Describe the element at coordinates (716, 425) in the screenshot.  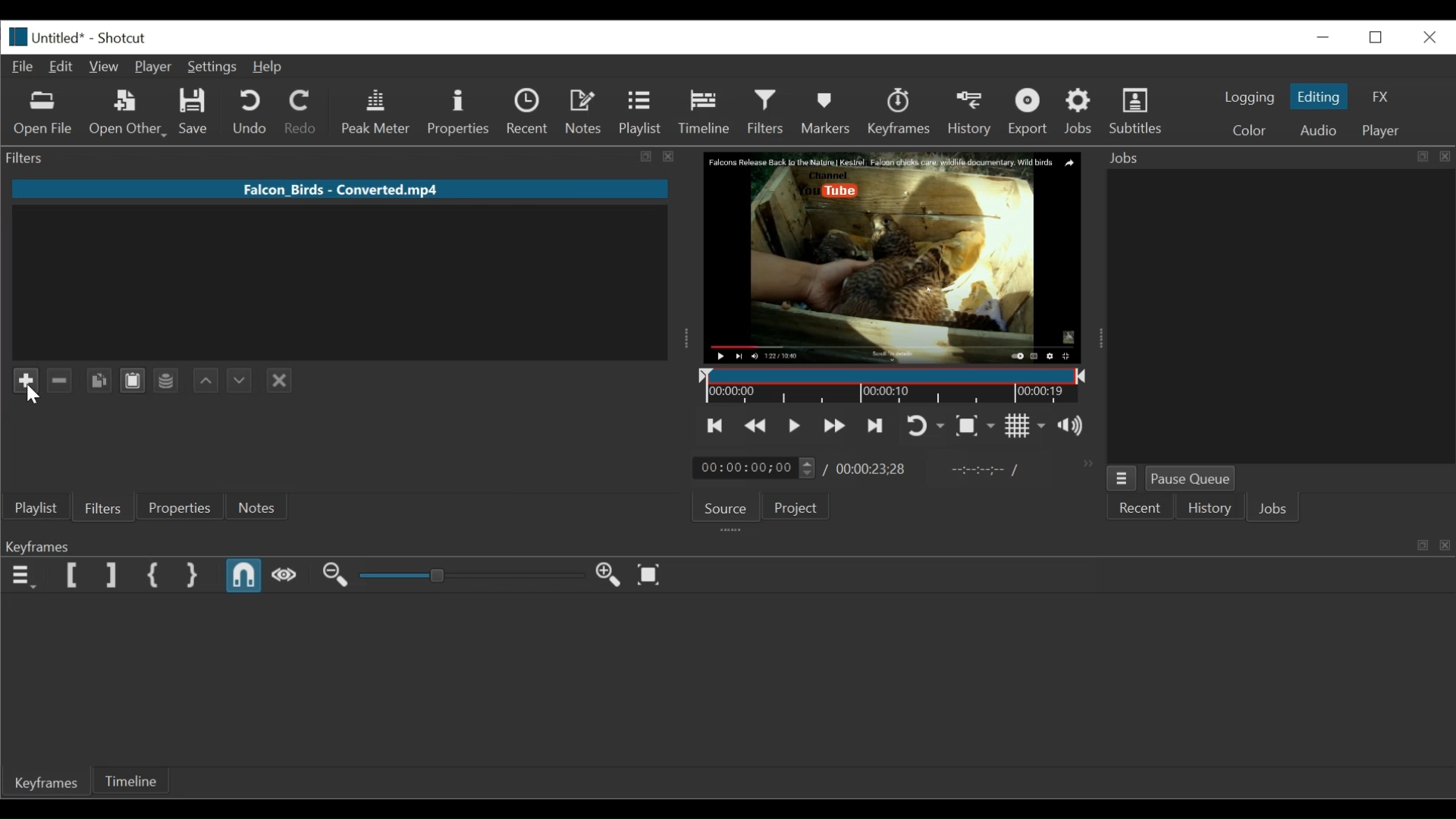
I see `Skip to the previous point` at that location.